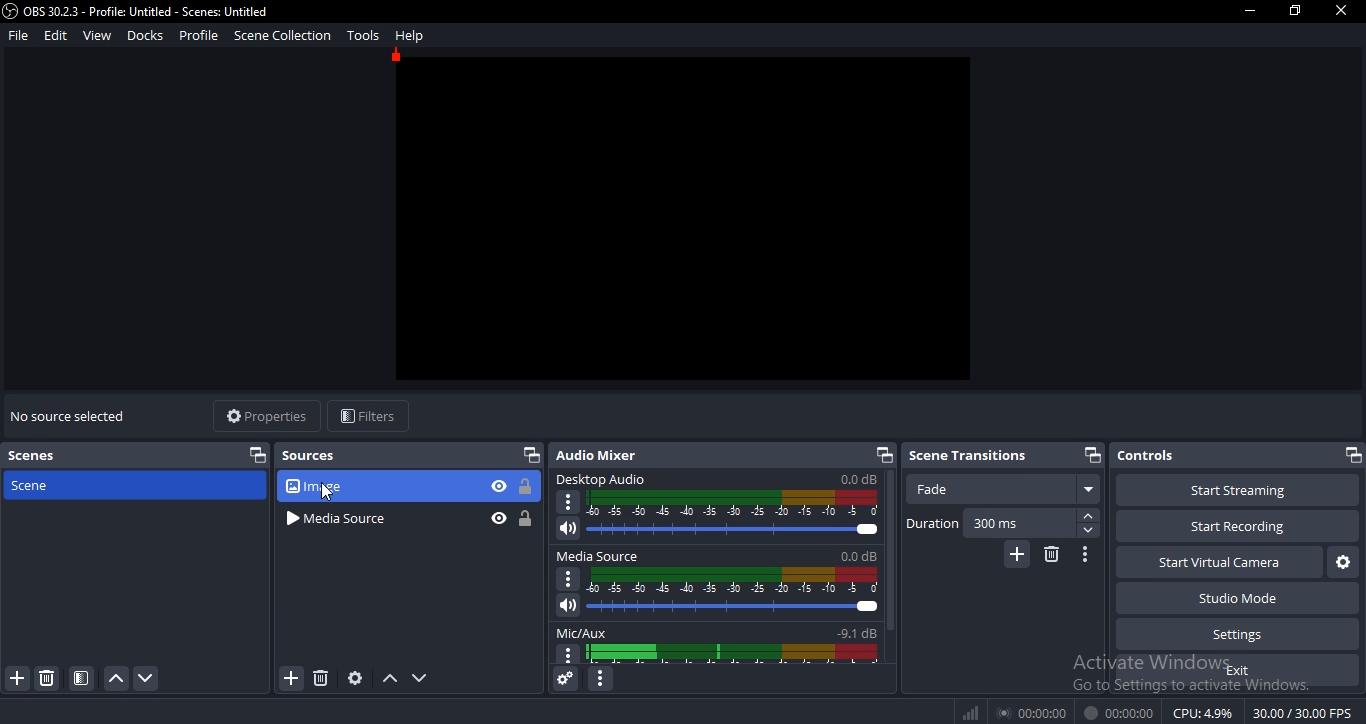 This screenshot has width=1366, height=724. What do you see at coordinates (1293, 13) in the screenshot?
I see `restore window` at bounding box center [1293, 13].